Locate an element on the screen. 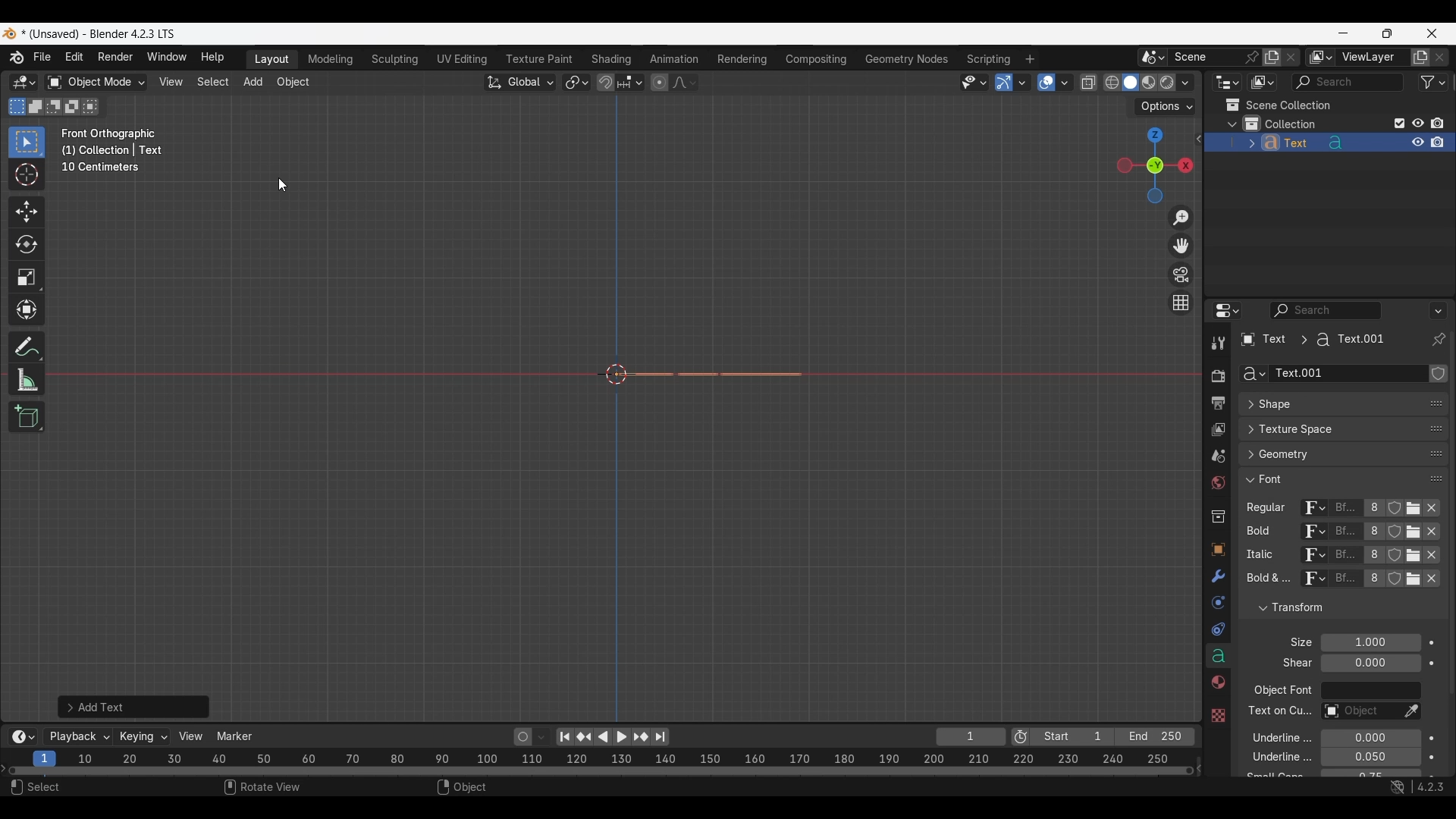 The width and height of the screenshot is (1456, 819). Software logo is located at coordinates (9, 33).